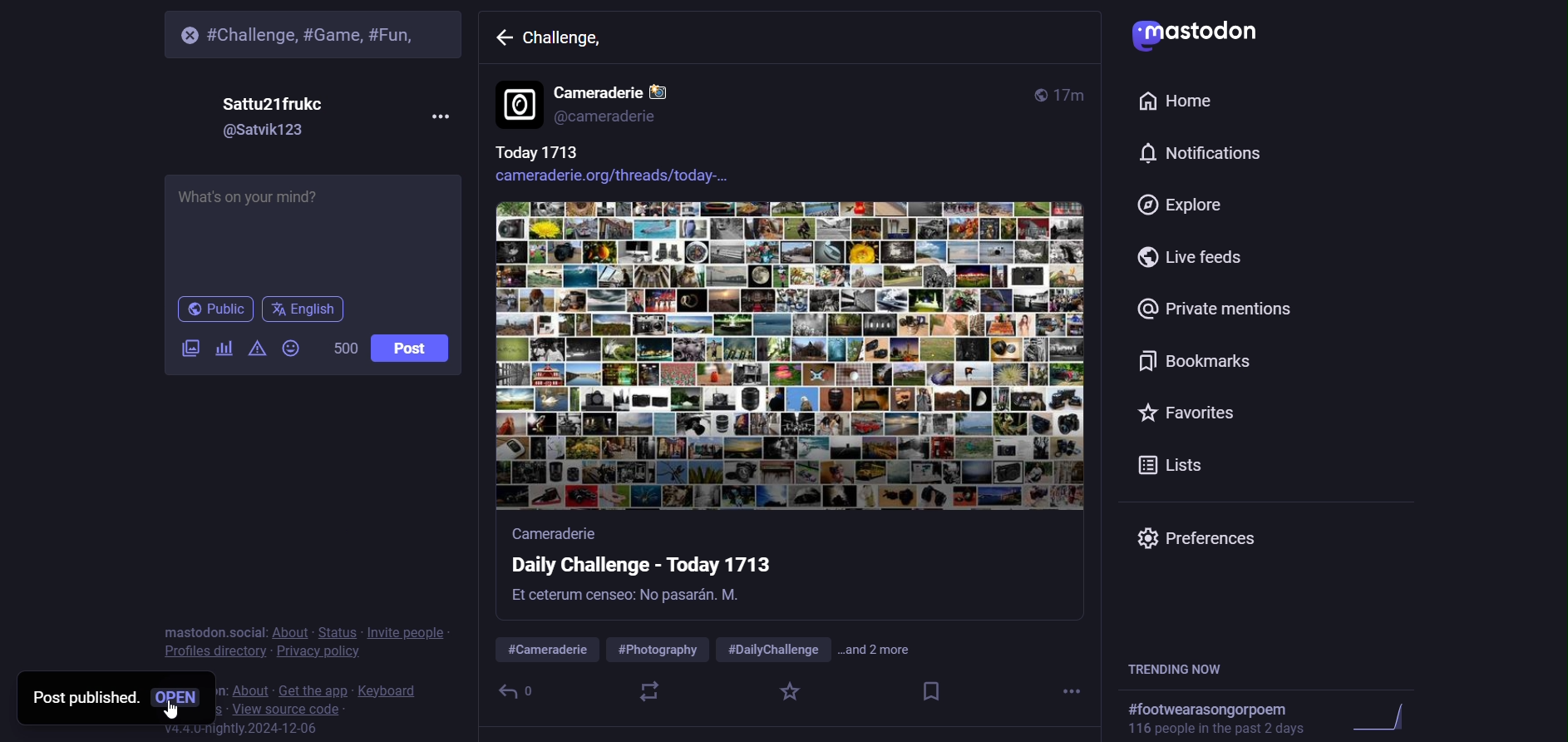 The image size is (1568, 742). I want to click on poll, so click(222, 350).